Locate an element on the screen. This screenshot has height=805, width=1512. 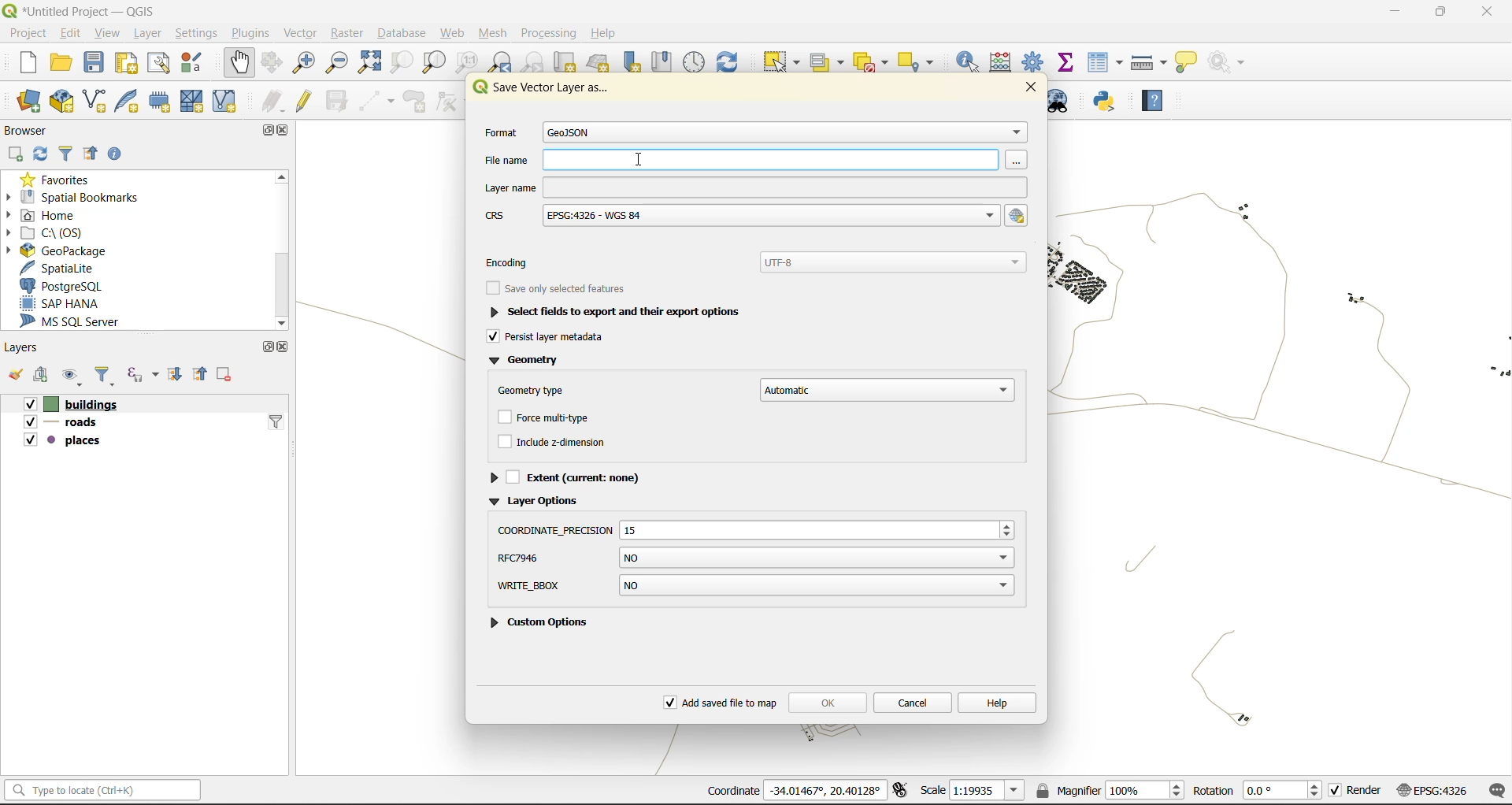
show layout is located at coordinates (160, 63).